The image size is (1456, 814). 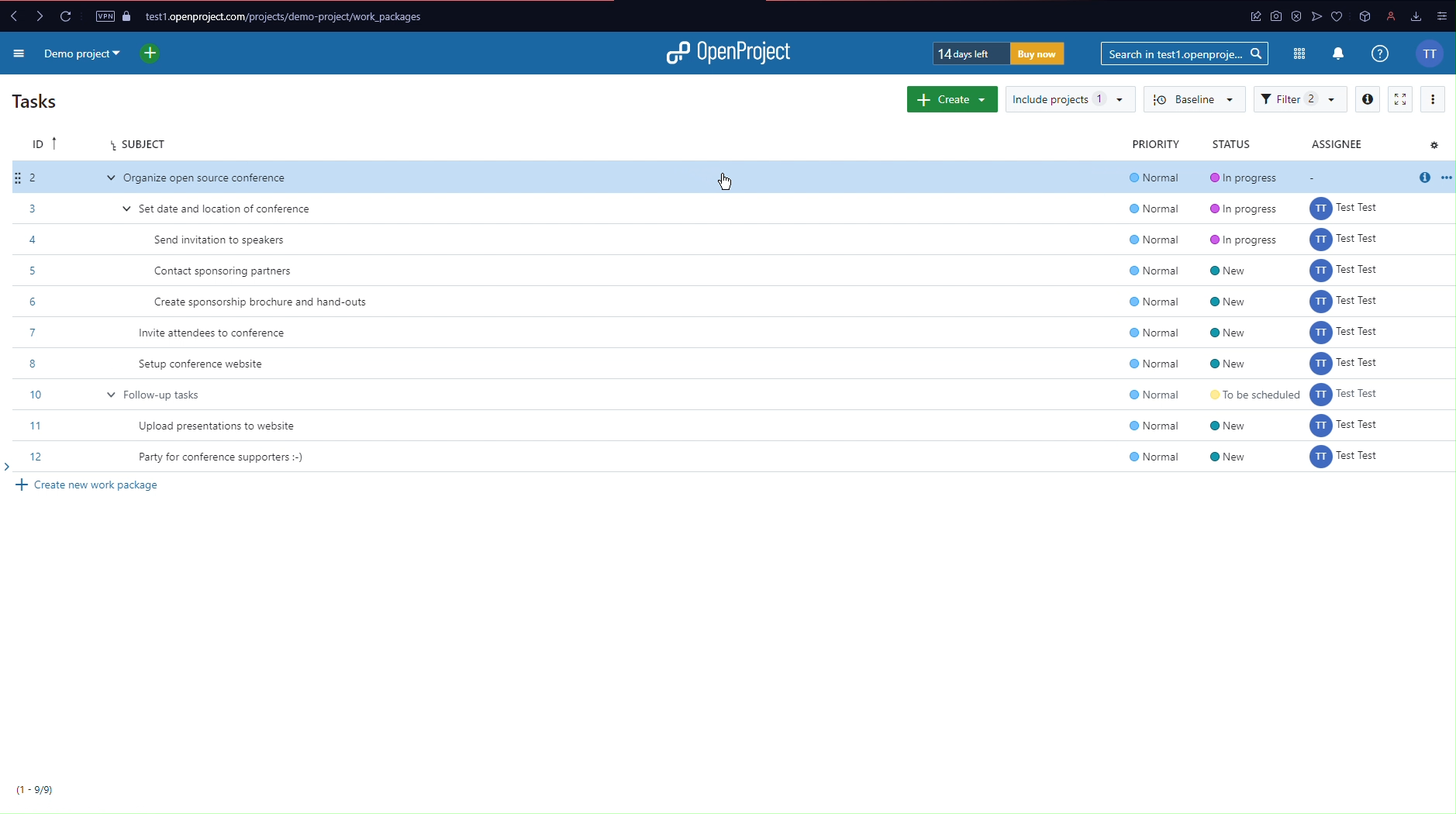 What do you see at coordinates (1251, 394) in the screenshot?
I see `status info: to be scheduled` at bounding box center [1251, 394].